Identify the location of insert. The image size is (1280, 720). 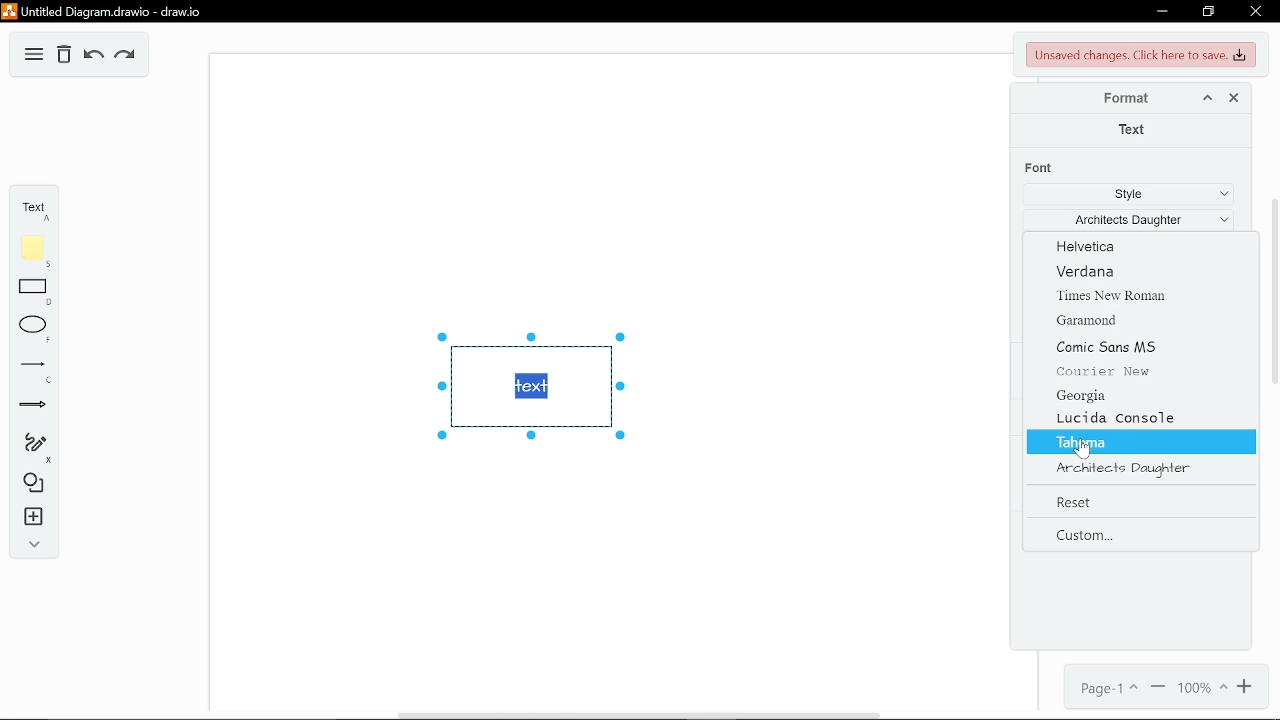
(29, 518).